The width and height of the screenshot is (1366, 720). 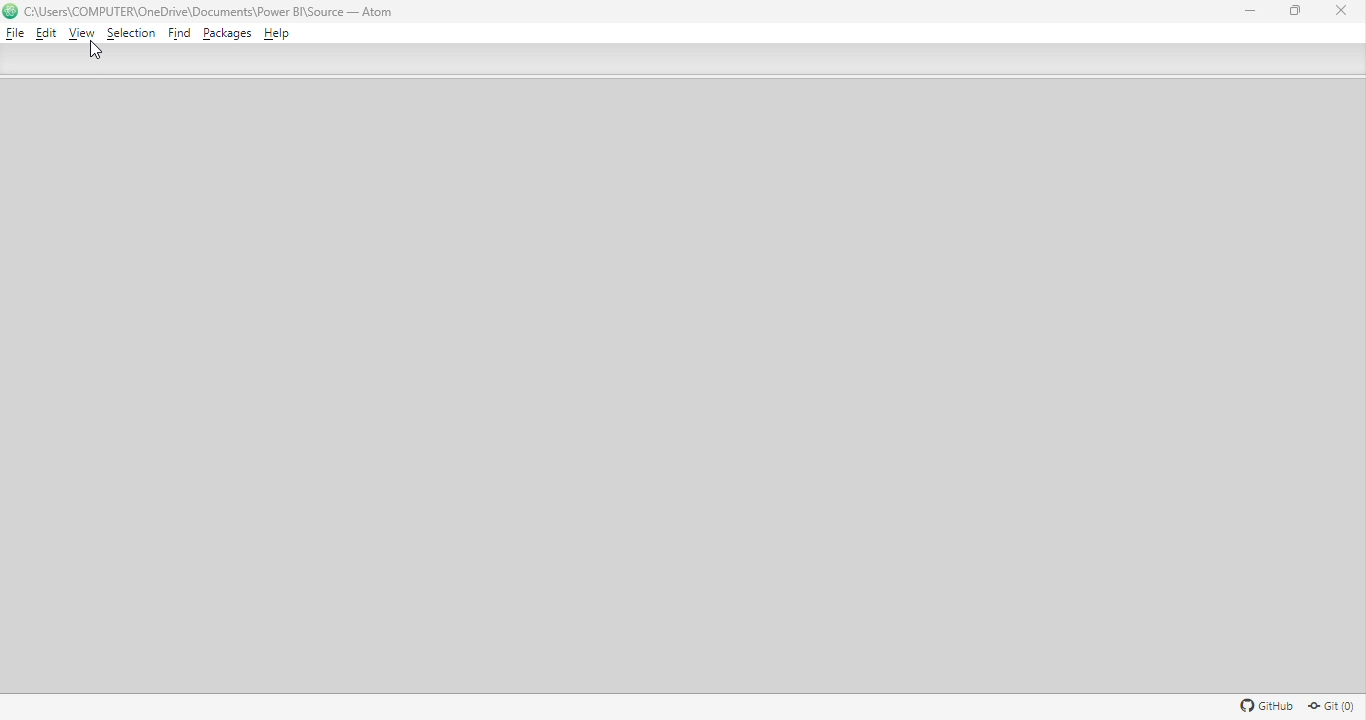 What do you see at coordinates (94, 52) in the screenshot?
I see `Cursor` at bounding box center [94, 52].